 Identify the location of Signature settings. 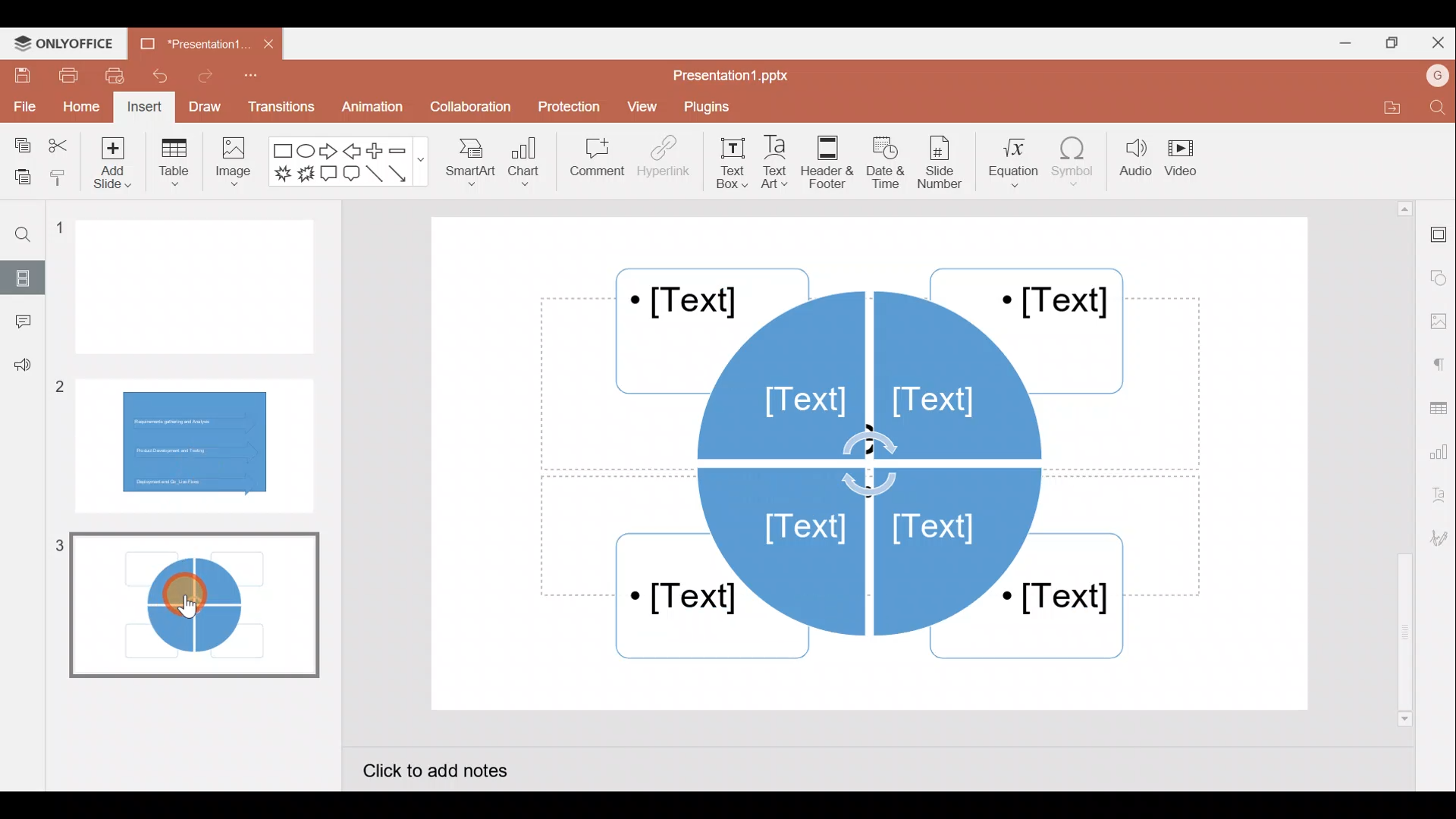
(1436, 538).